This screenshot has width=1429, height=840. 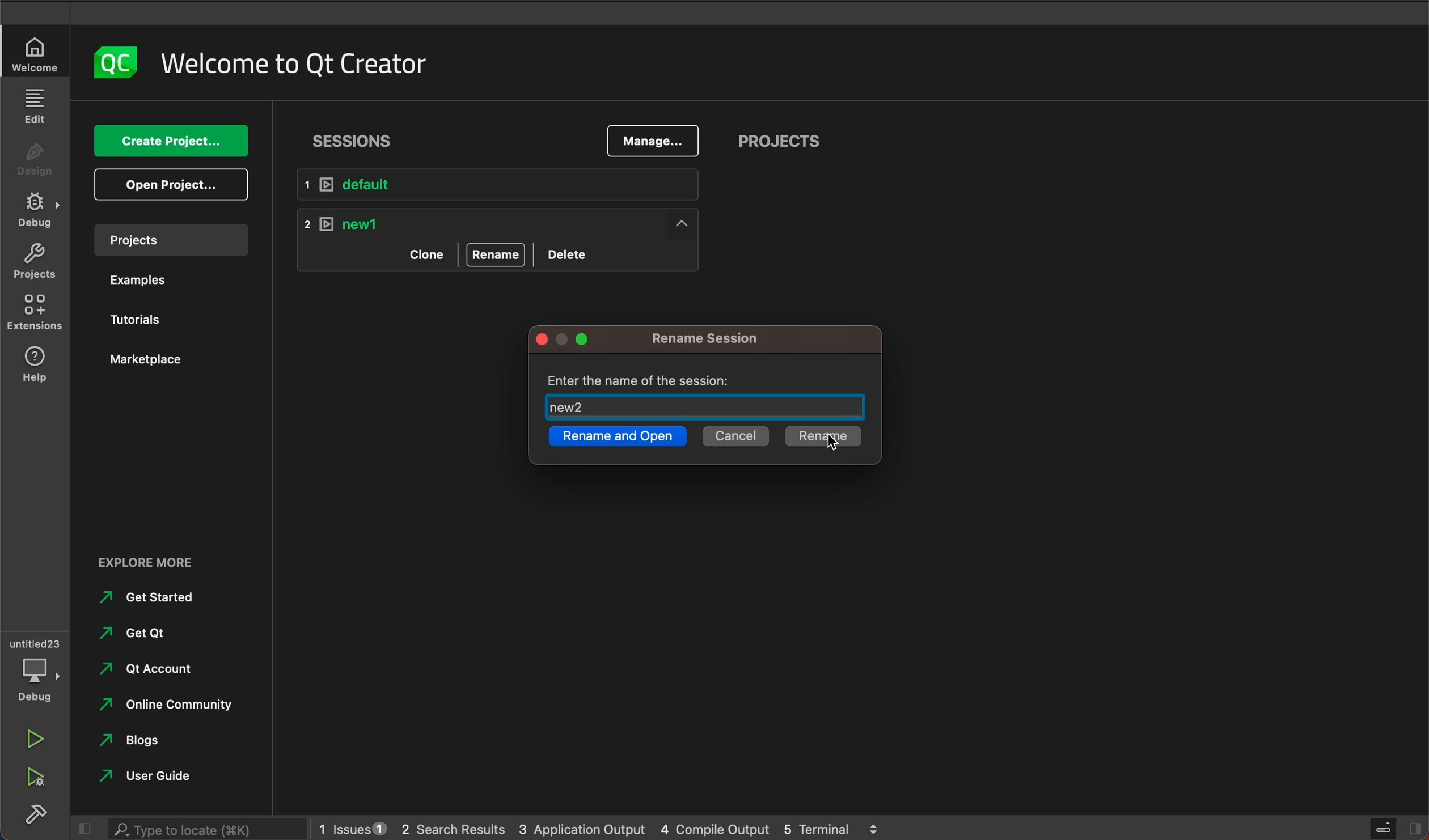 I want to click on sessions, so click(x=358, y=137).